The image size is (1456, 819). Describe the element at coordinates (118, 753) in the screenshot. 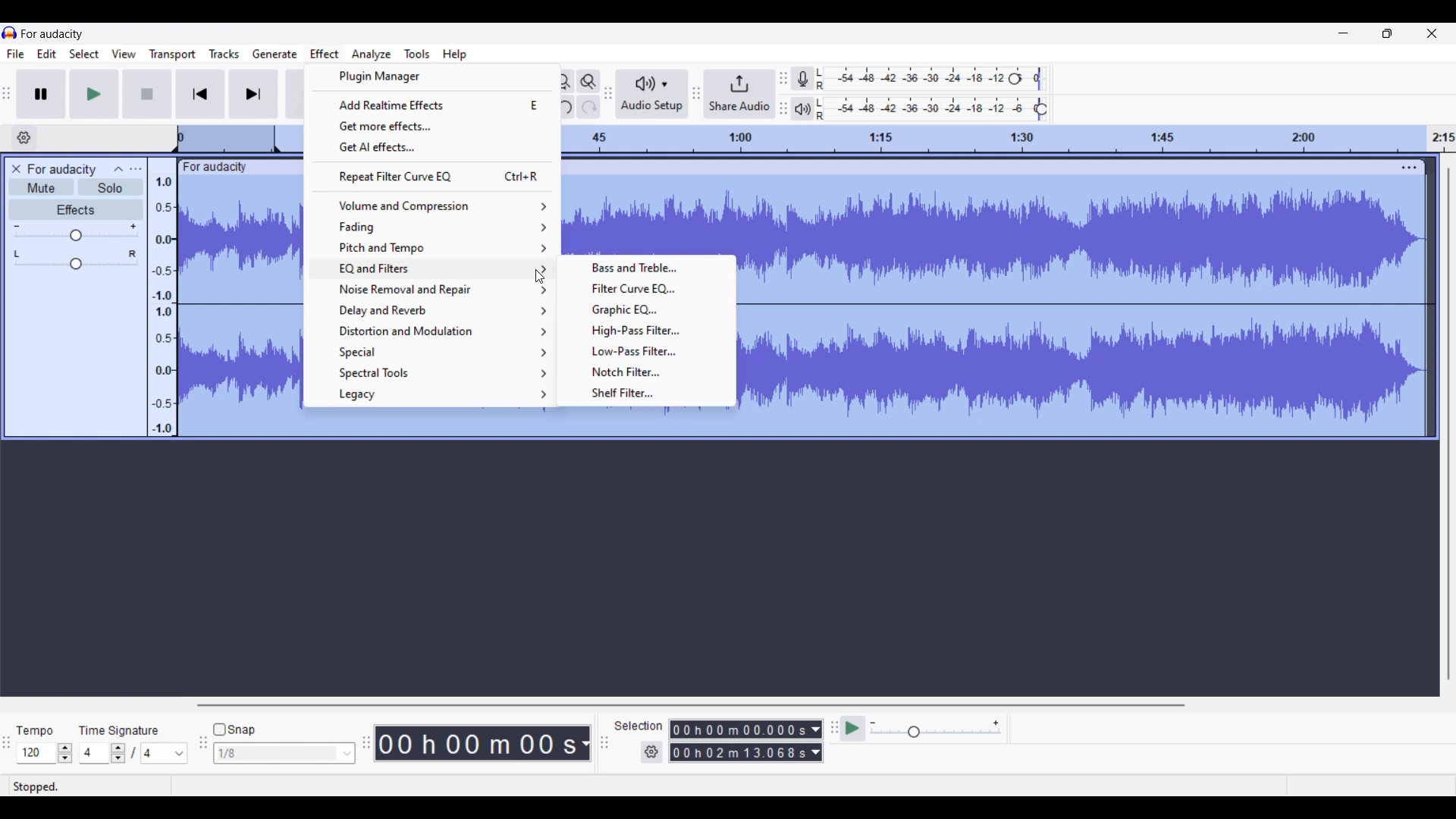

I see `Increase/Decrease time signature` at that location.